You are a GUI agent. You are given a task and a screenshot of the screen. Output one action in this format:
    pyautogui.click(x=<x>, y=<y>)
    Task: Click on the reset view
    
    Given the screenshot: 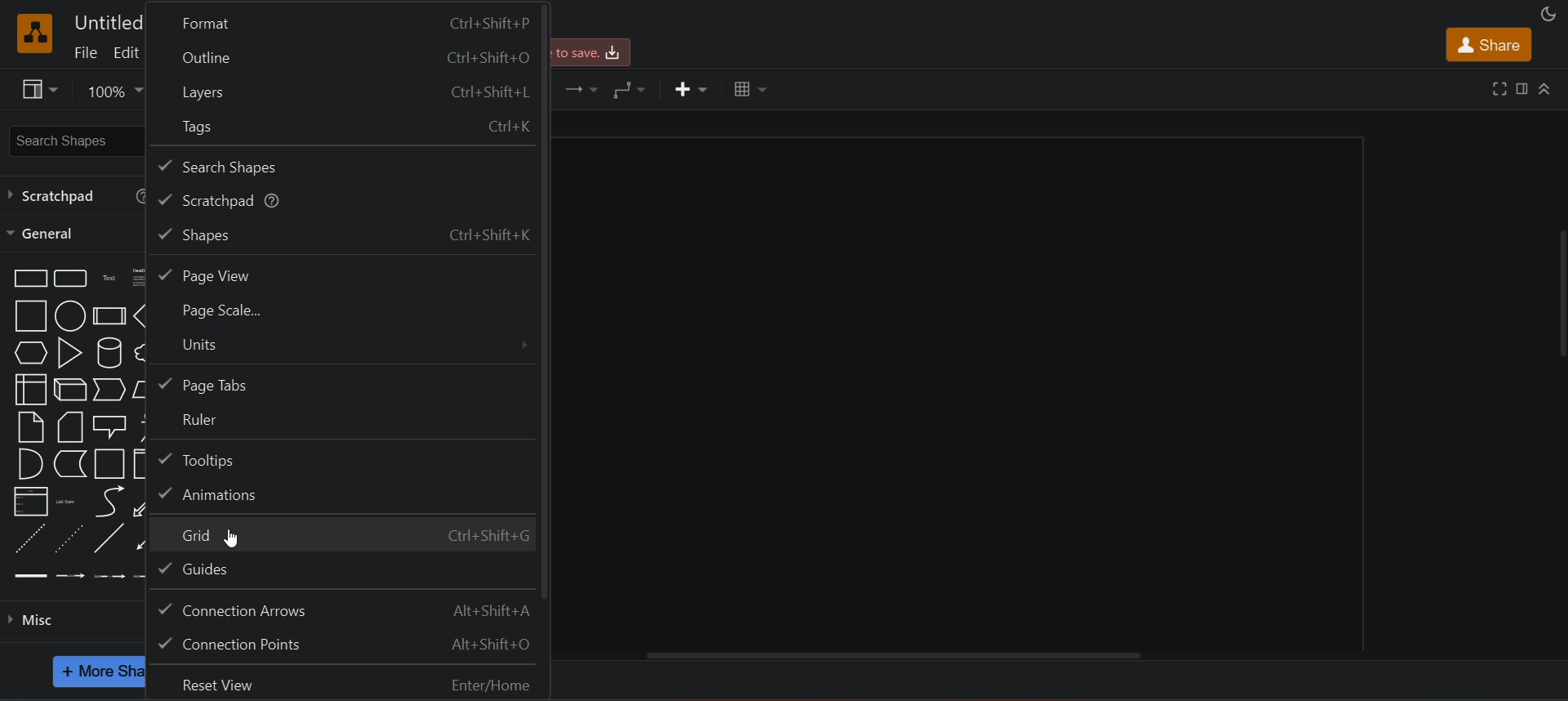 What is the action you would take?
    pyautogui.click(x=351, y=684)
    